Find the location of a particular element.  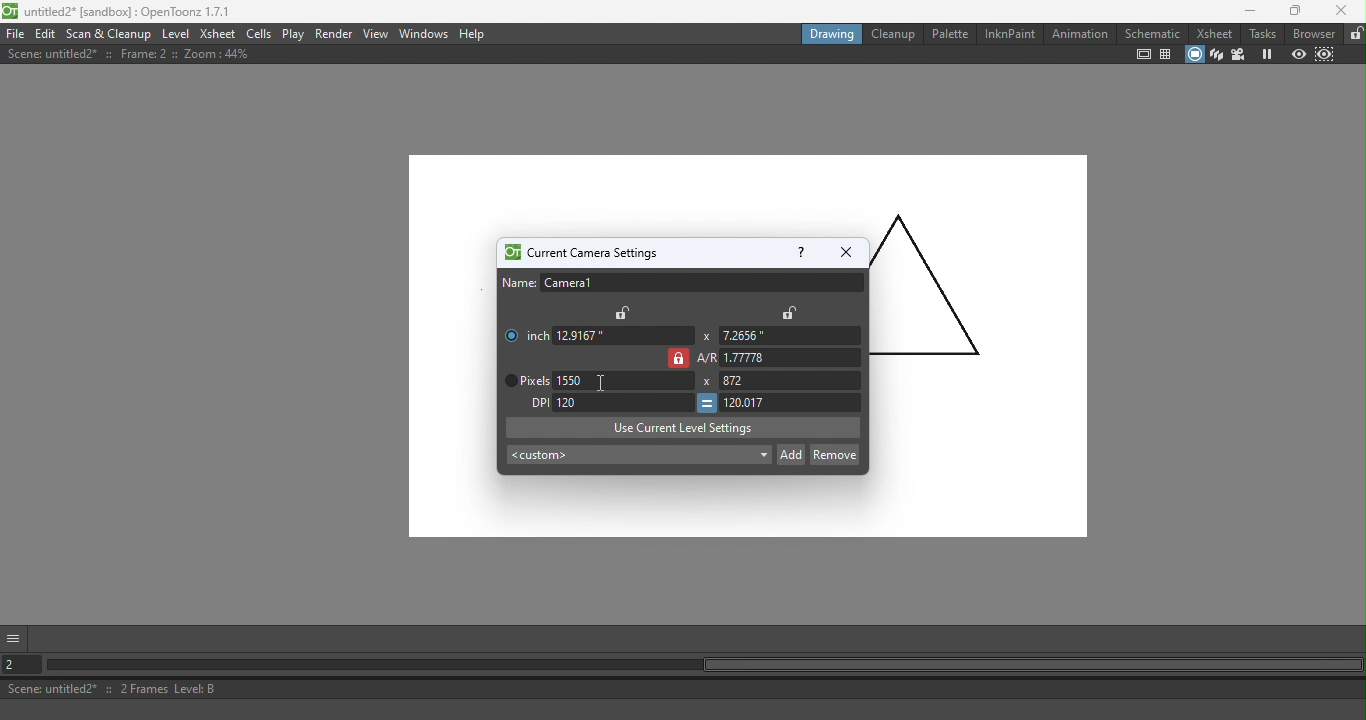

Drop down menu is located at coordinates (637, 456).